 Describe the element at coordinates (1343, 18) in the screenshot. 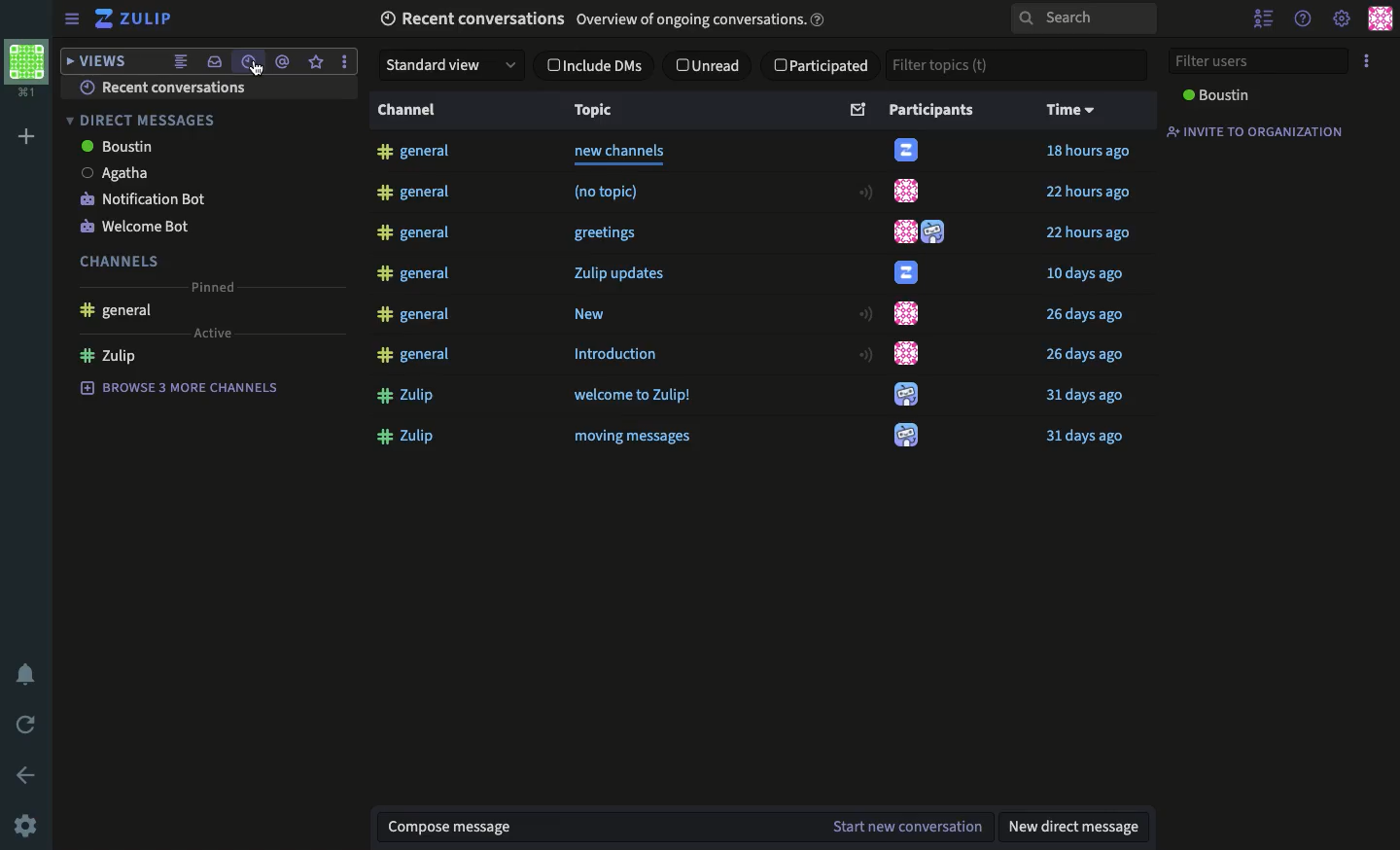

I see `settings` at that location.